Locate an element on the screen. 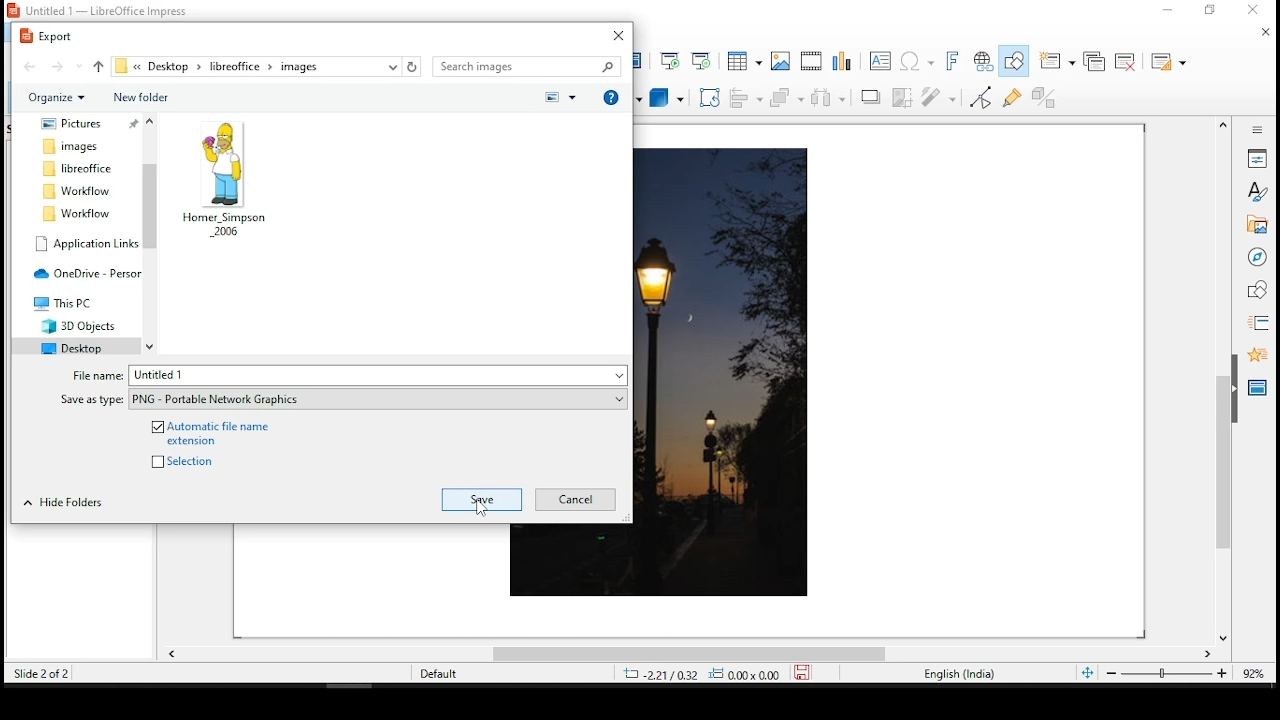 The height and width of the screenshot is (720, 1280). shadow is located at coordinates (871, 98).